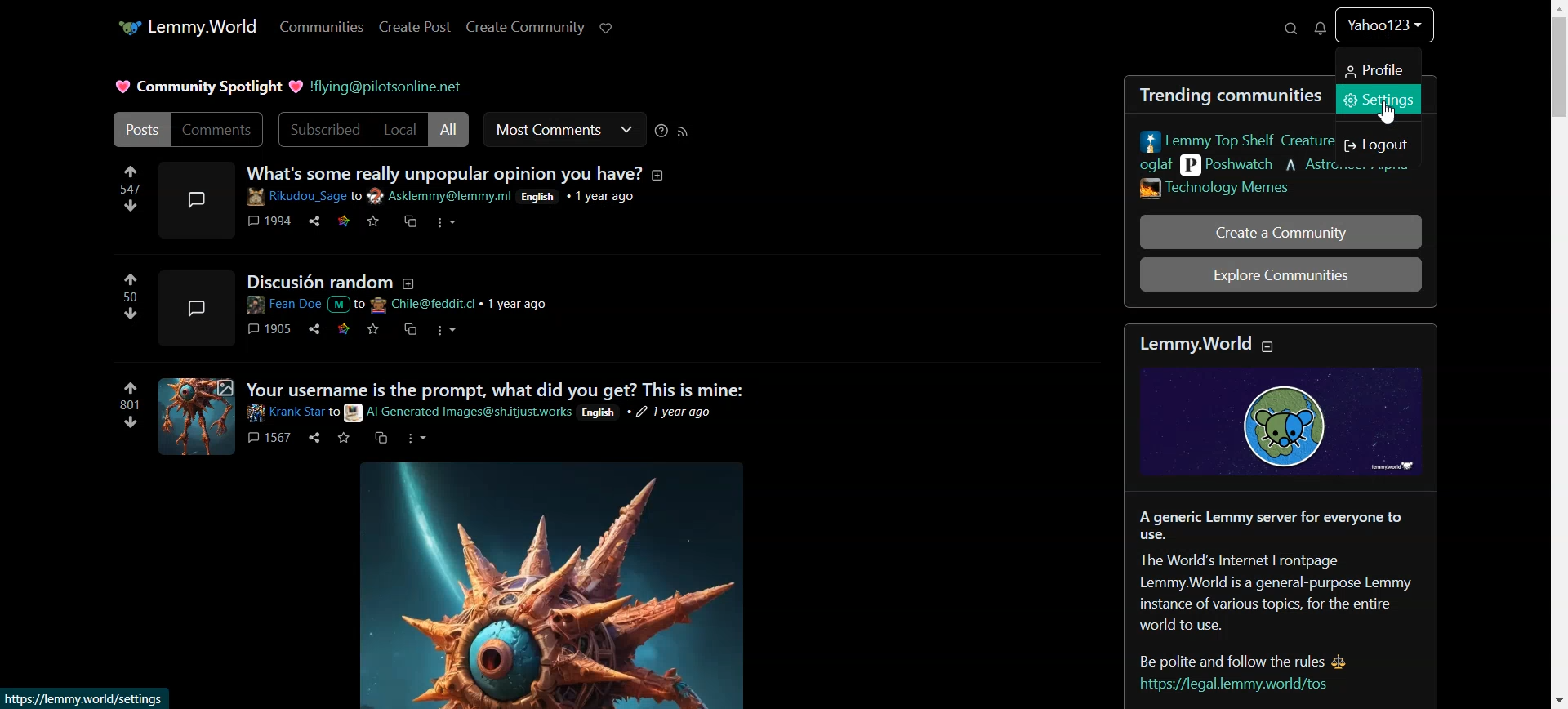 The width and height of the screenshot is (1568, 709). I want to click on Hyperlink, so click(387, 86).